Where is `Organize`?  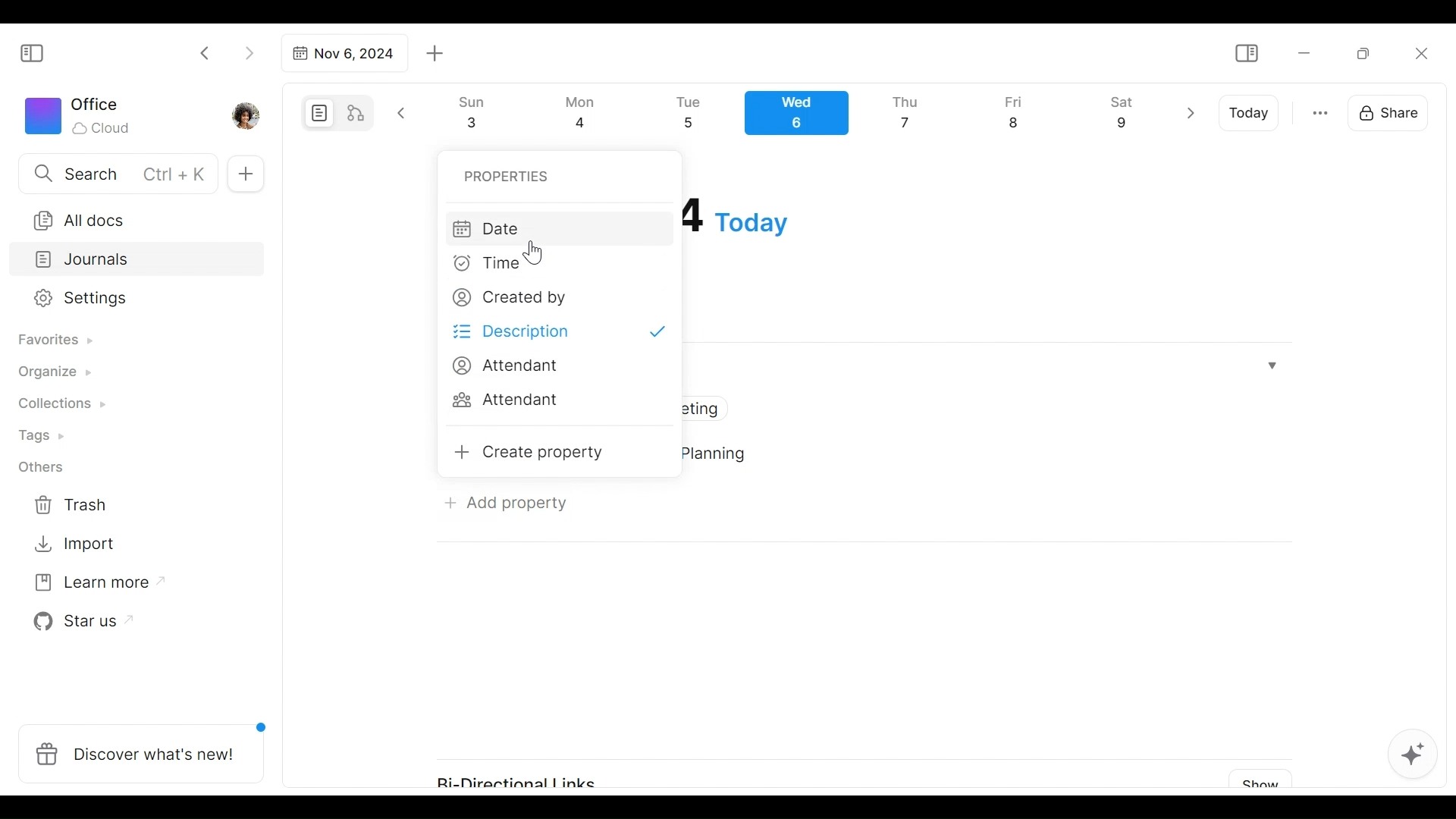 Organize is located at coordinates (53, 373).